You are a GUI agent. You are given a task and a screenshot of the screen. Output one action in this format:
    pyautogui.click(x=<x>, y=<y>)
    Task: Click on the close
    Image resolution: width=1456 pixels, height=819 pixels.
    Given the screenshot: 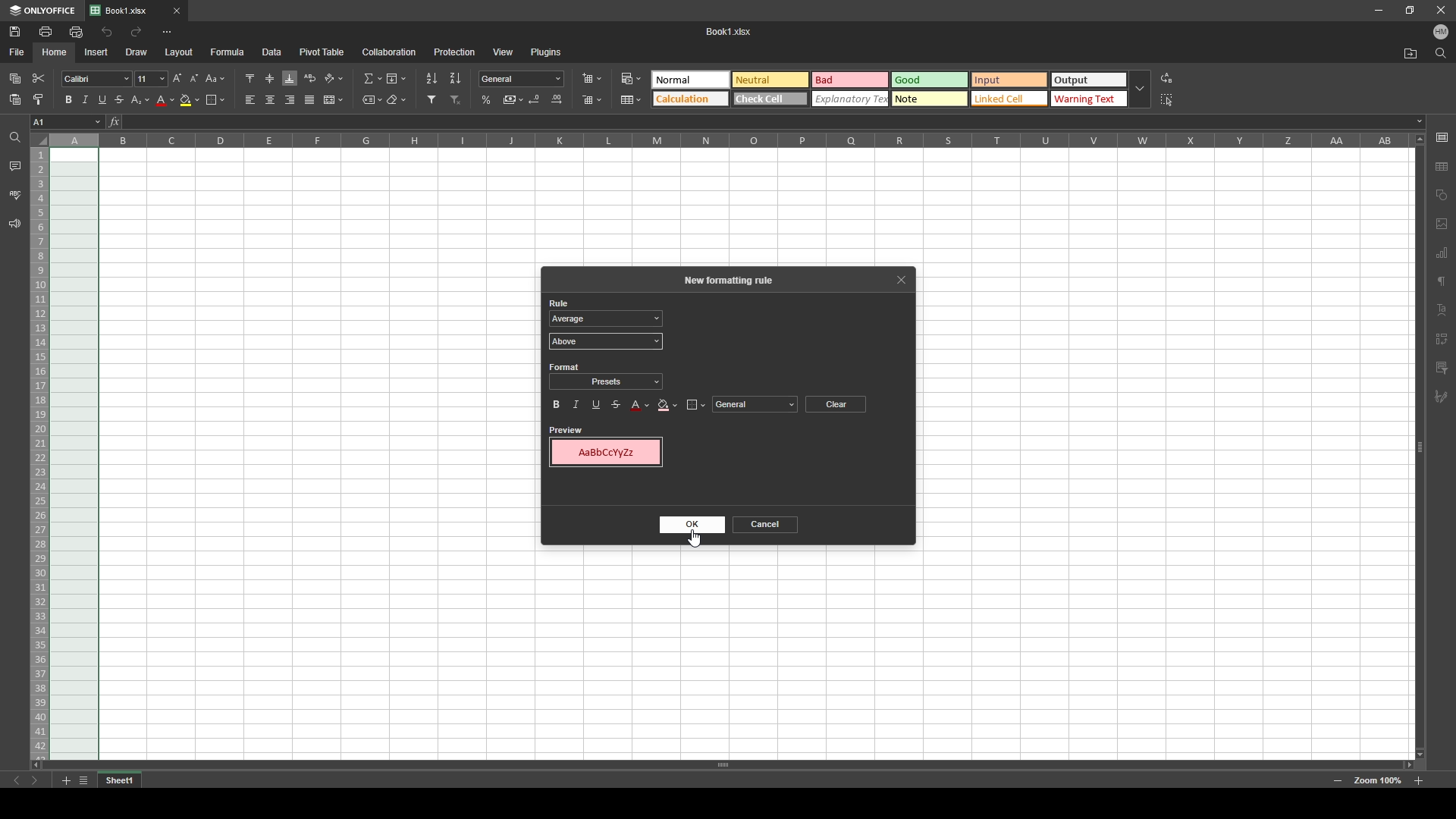 What is the action you would take?
    pyautogui.click(x=1441, y=11)
    